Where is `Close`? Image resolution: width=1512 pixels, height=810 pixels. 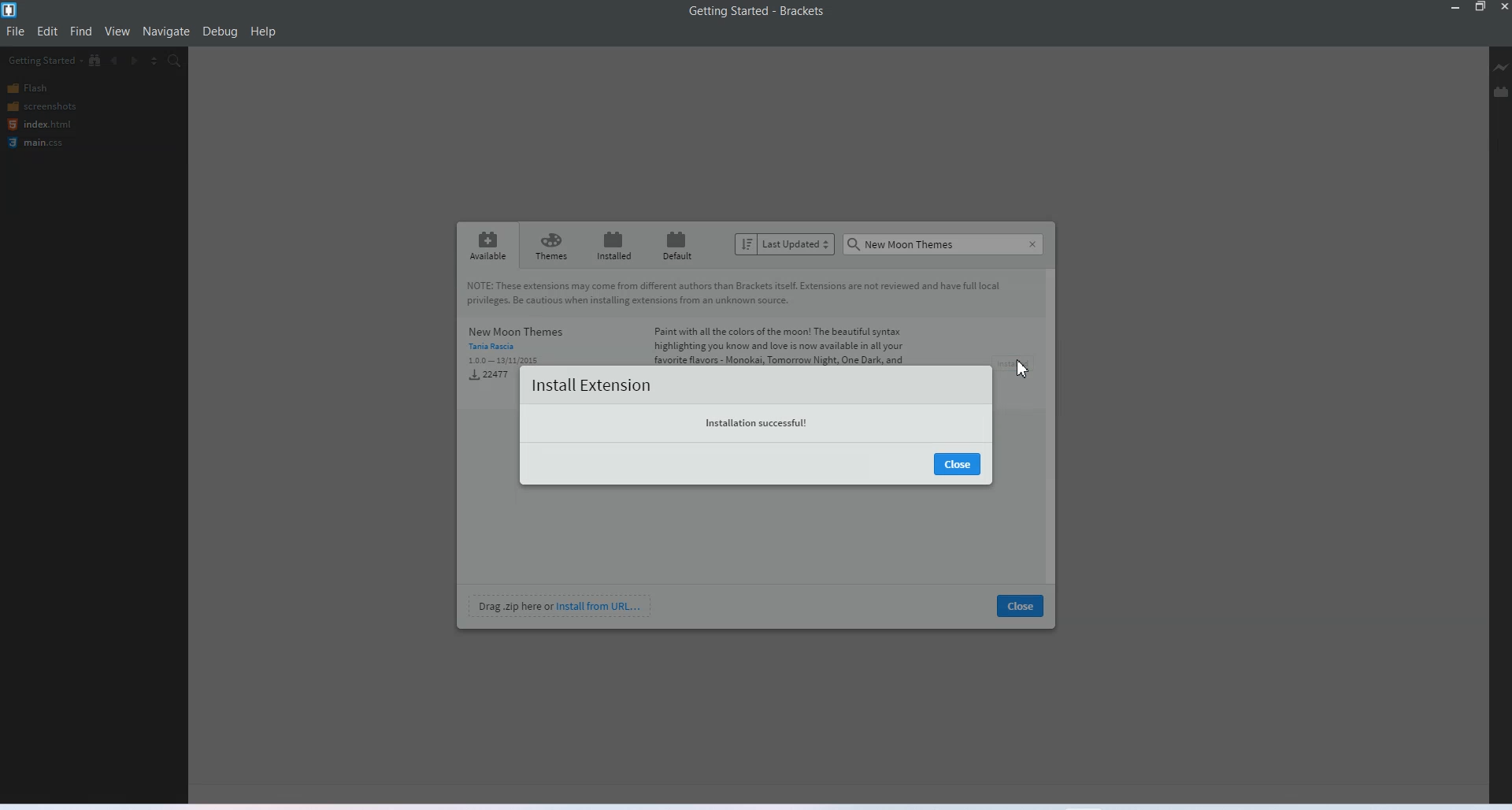
Close is located at coordinates (1032, 244).